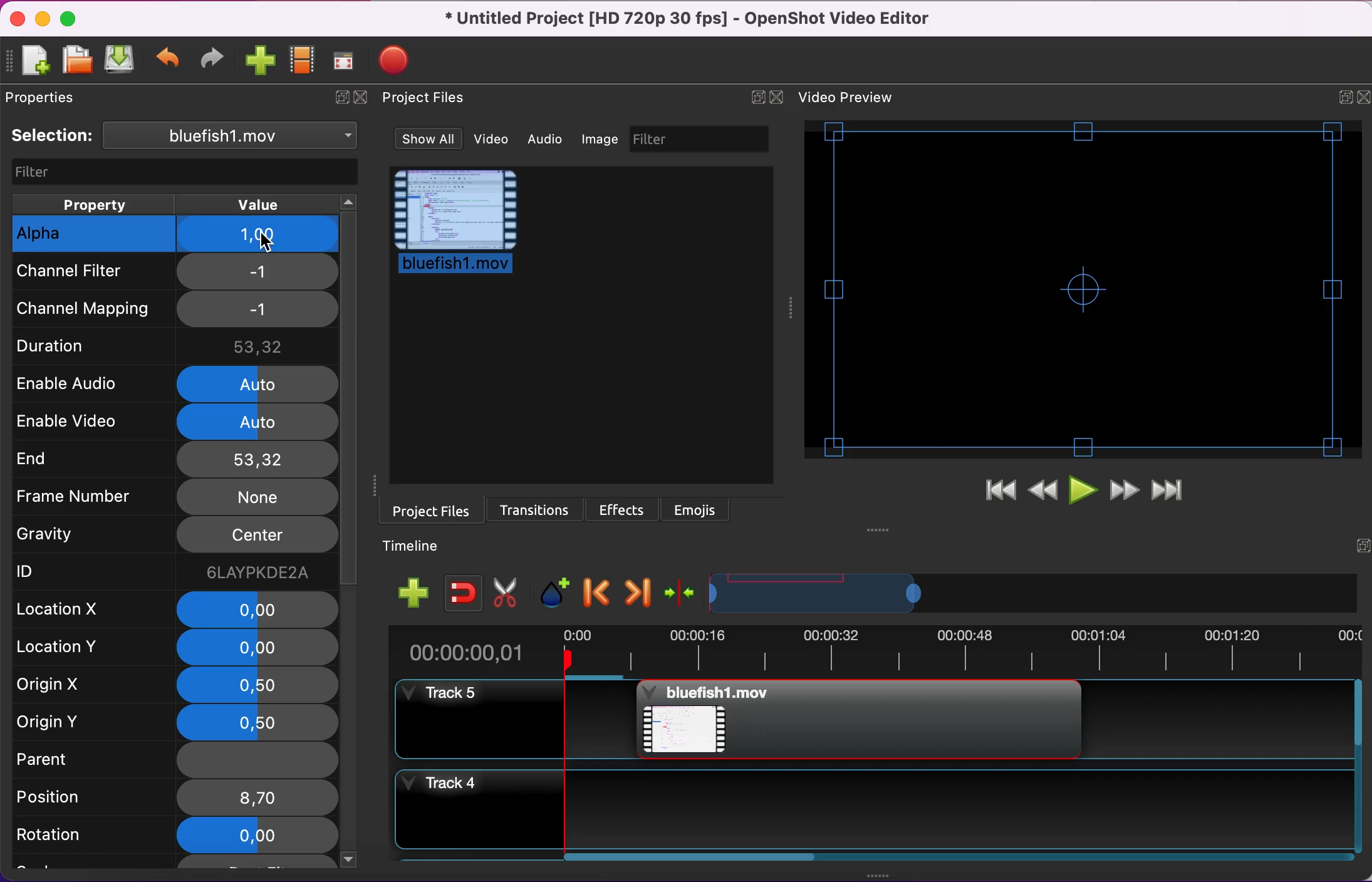 The image size is (1372, 882). I want to click on open project, so click(76, 65).